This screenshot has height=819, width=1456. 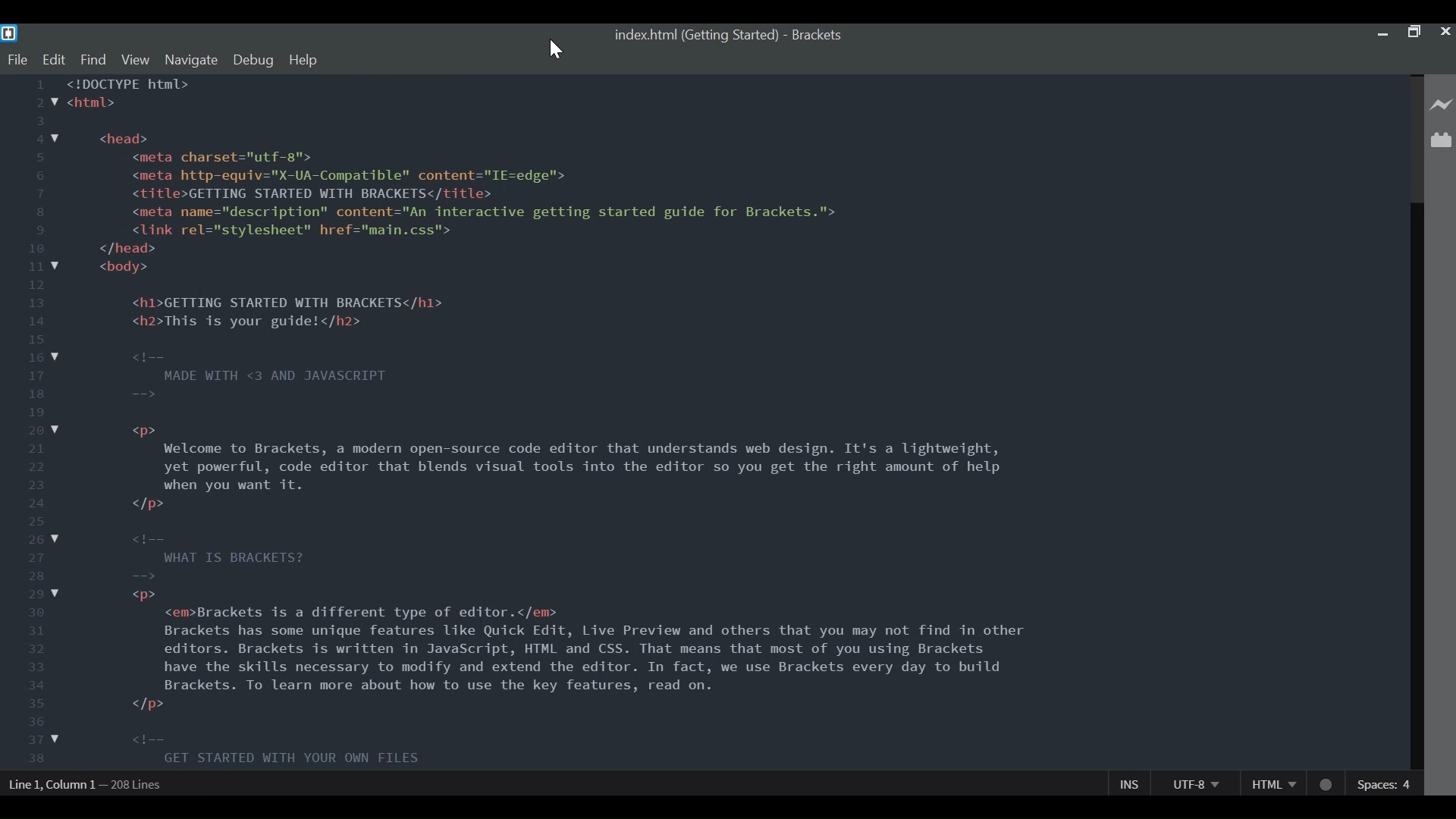 I want to click on Cursor, so click(x=557, y=50).